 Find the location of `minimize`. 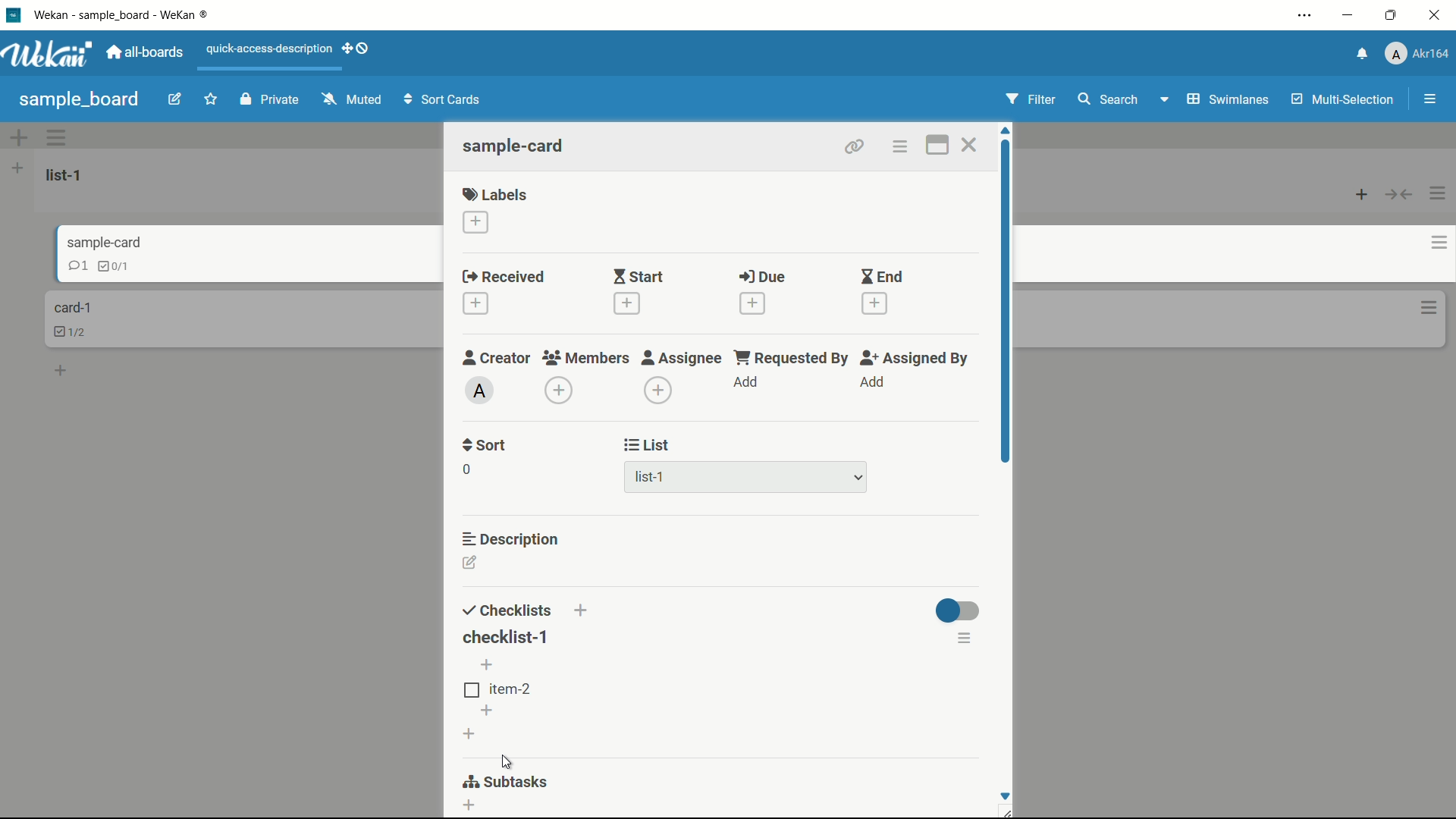

minimize is located at coordinates (1350, 15).